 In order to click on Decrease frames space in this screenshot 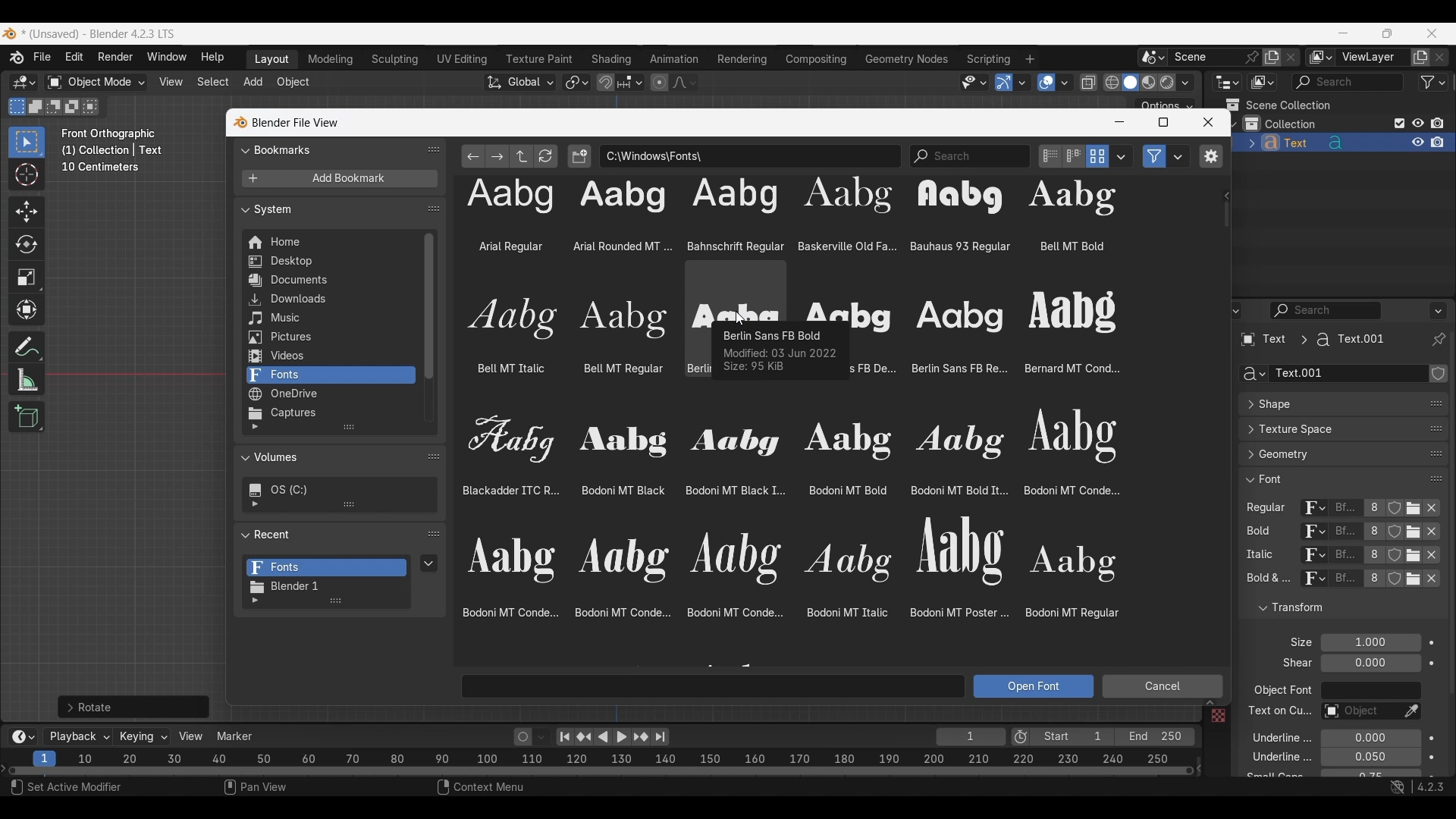, I will do `click(1200, 767)`.